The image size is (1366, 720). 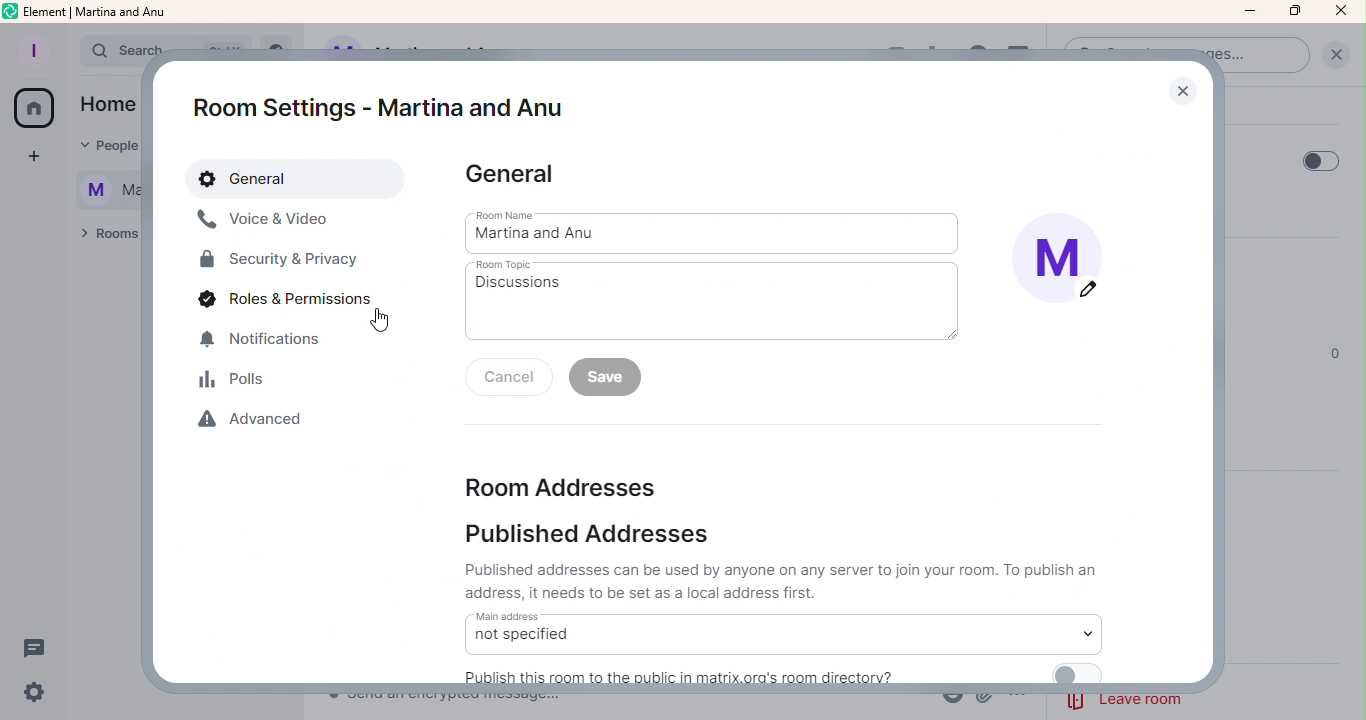 I want to click on Polls, so click(x=237, y=382).